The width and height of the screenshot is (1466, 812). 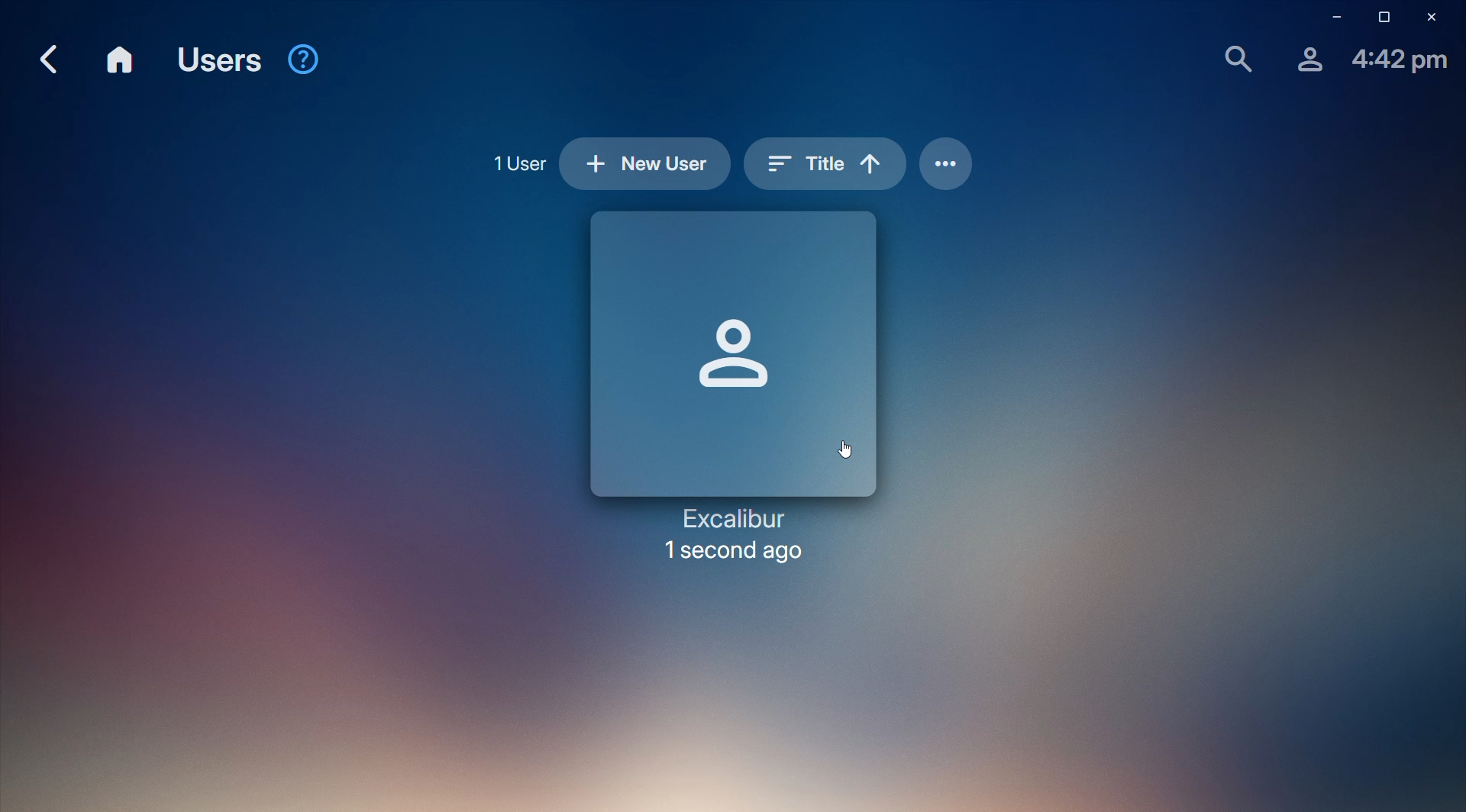 I want to click on Close, so click(x=1434, y=18).